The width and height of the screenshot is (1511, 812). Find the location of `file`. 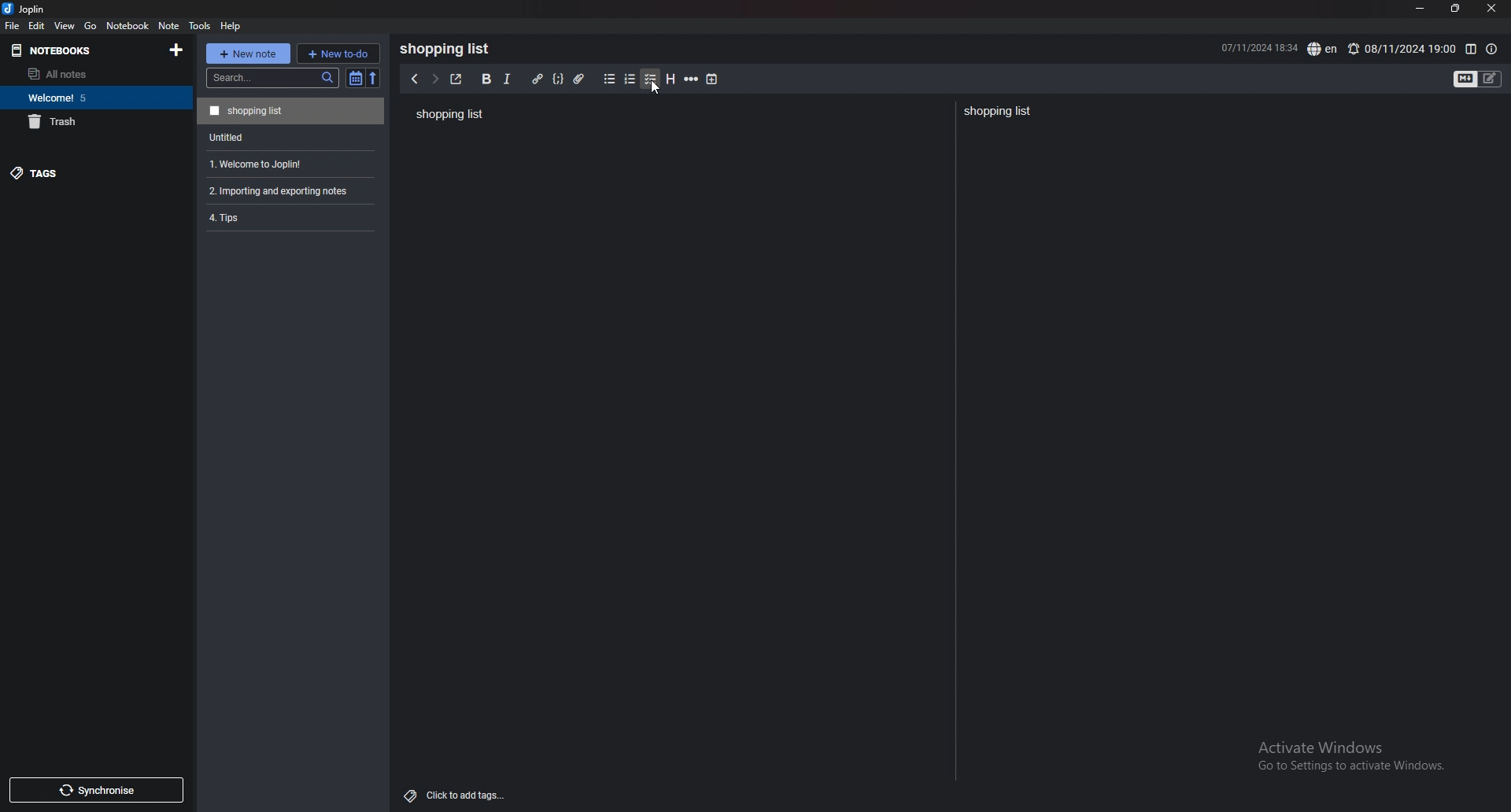

file is located at coordinates (13, 26).